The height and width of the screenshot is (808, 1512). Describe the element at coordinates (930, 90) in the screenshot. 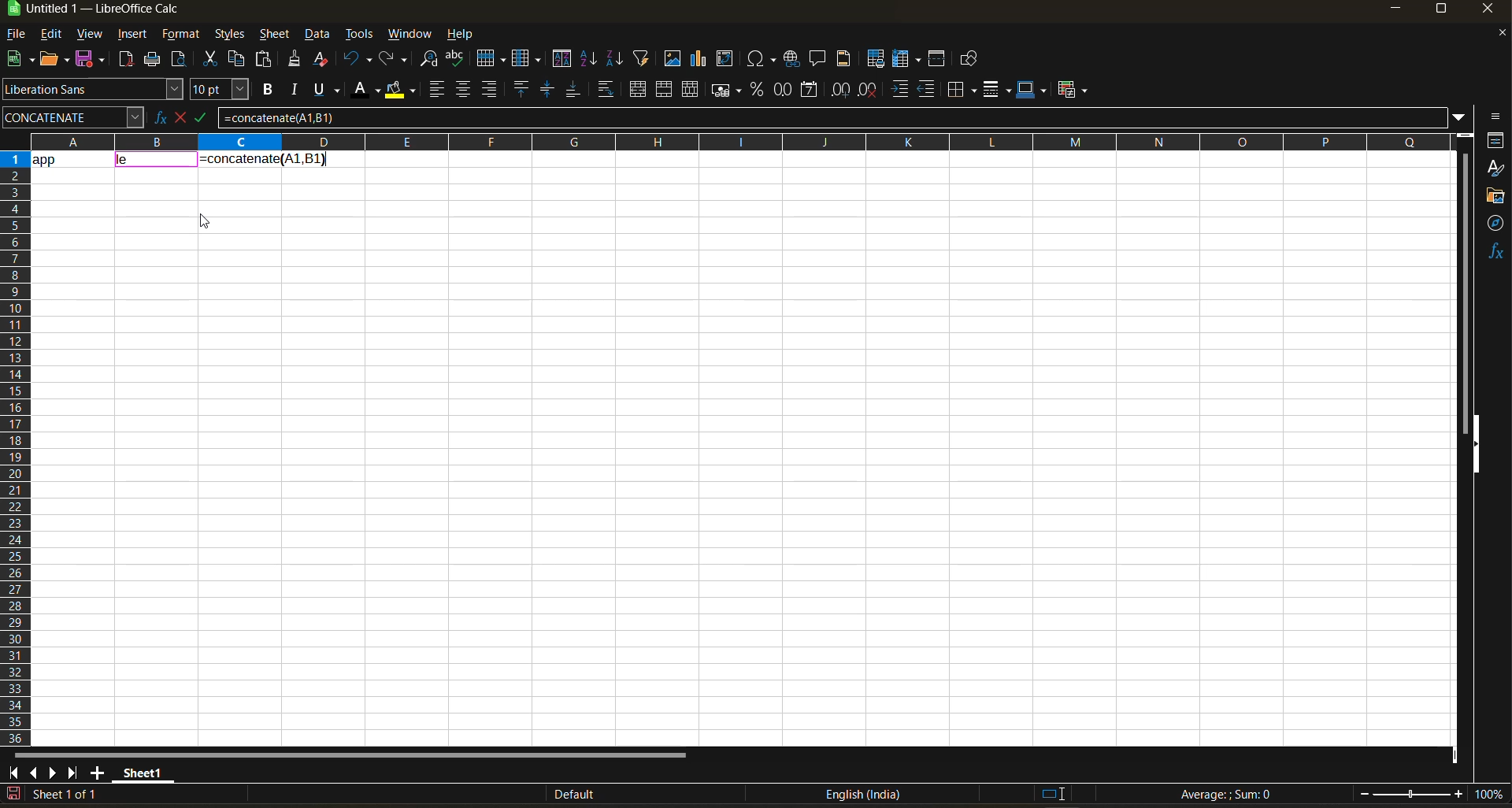

I see `decrease indent` at that location.